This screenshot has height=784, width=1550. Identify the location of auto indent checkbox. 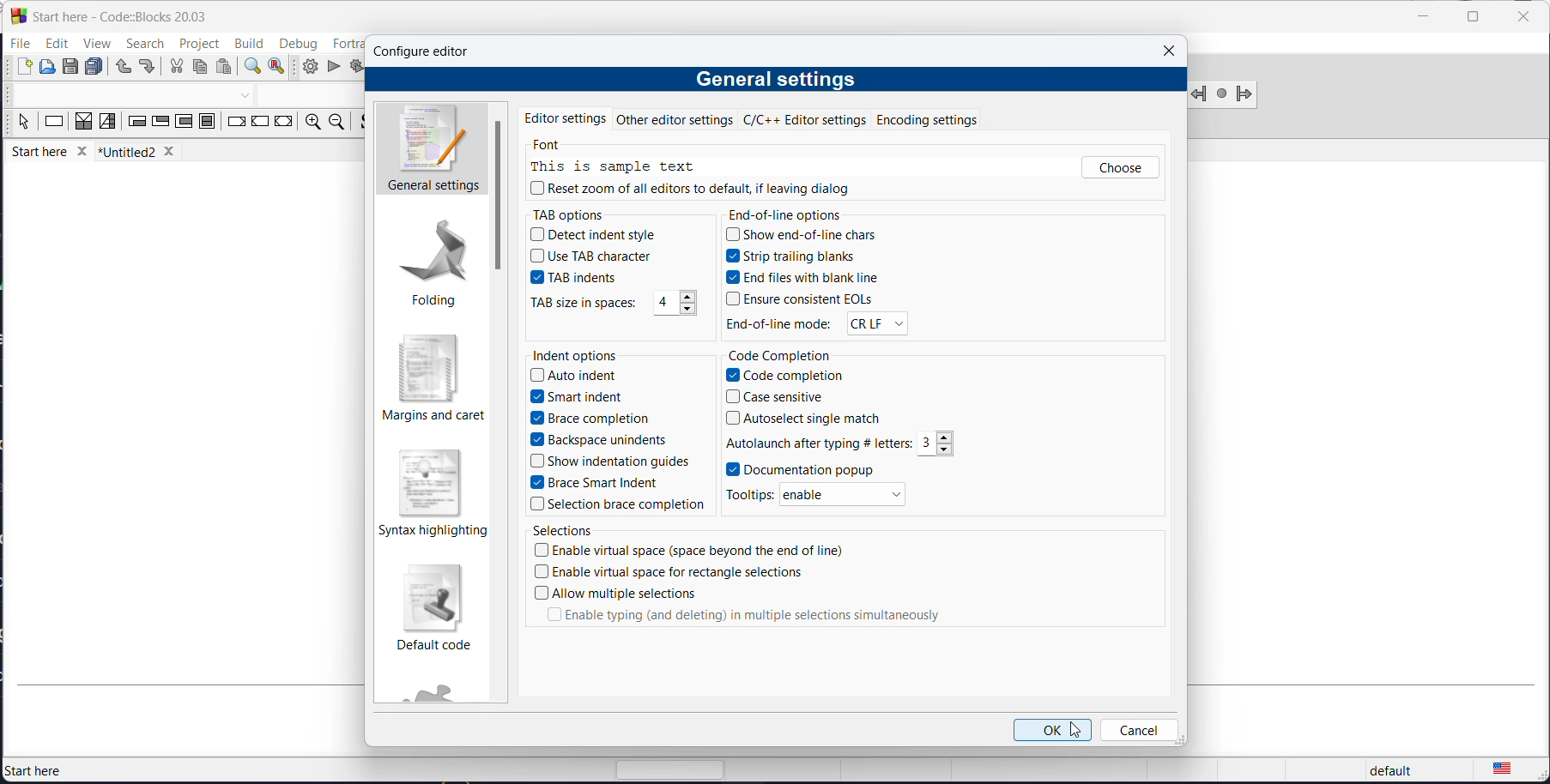
(578, 377).